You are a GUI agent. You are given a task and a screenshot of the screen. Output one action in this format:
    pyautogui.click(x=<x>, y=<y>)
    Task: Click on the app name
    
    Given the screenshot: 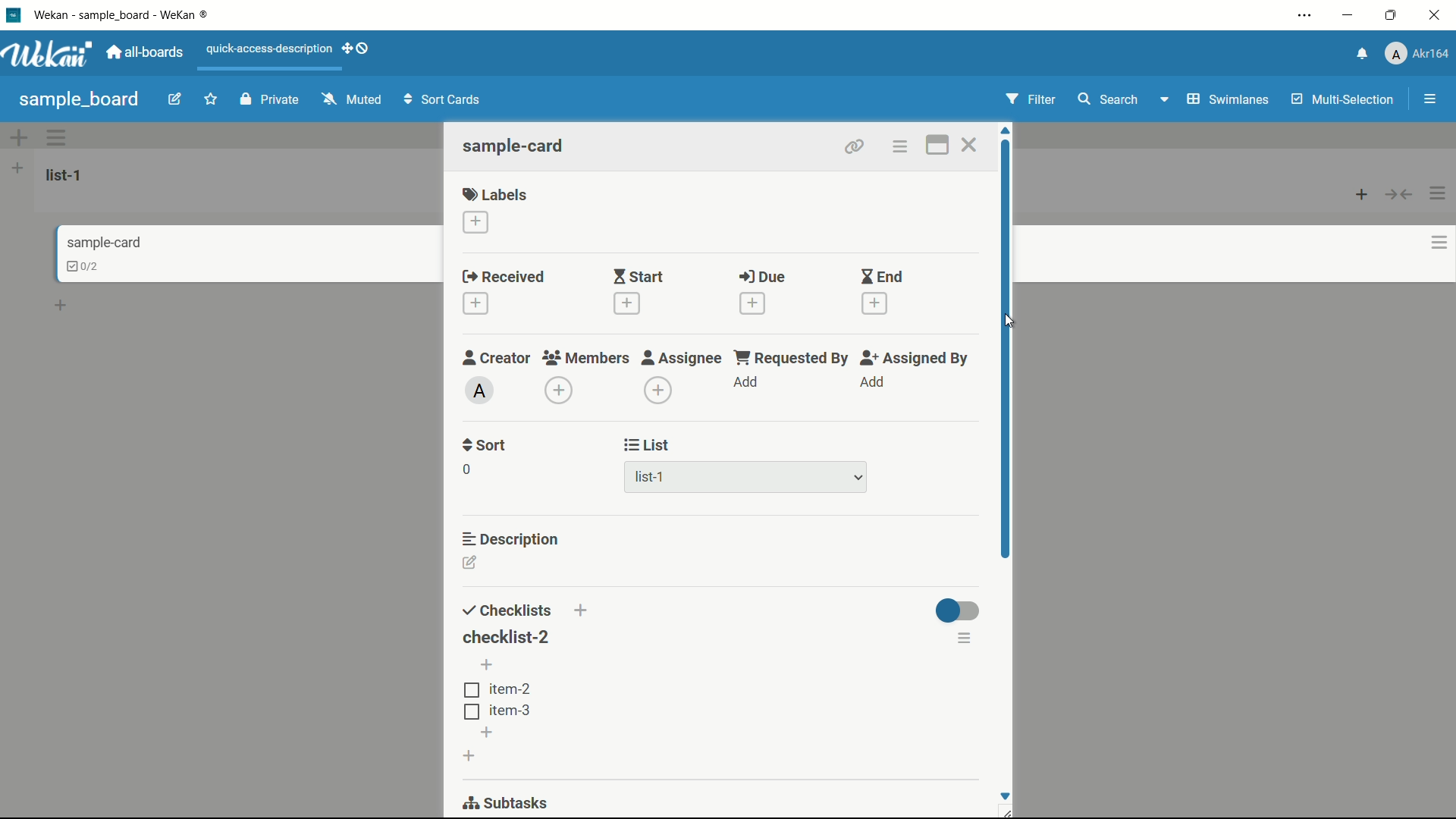 What is the action you would take?
    pyautogui.click(x=131, y=14)
    